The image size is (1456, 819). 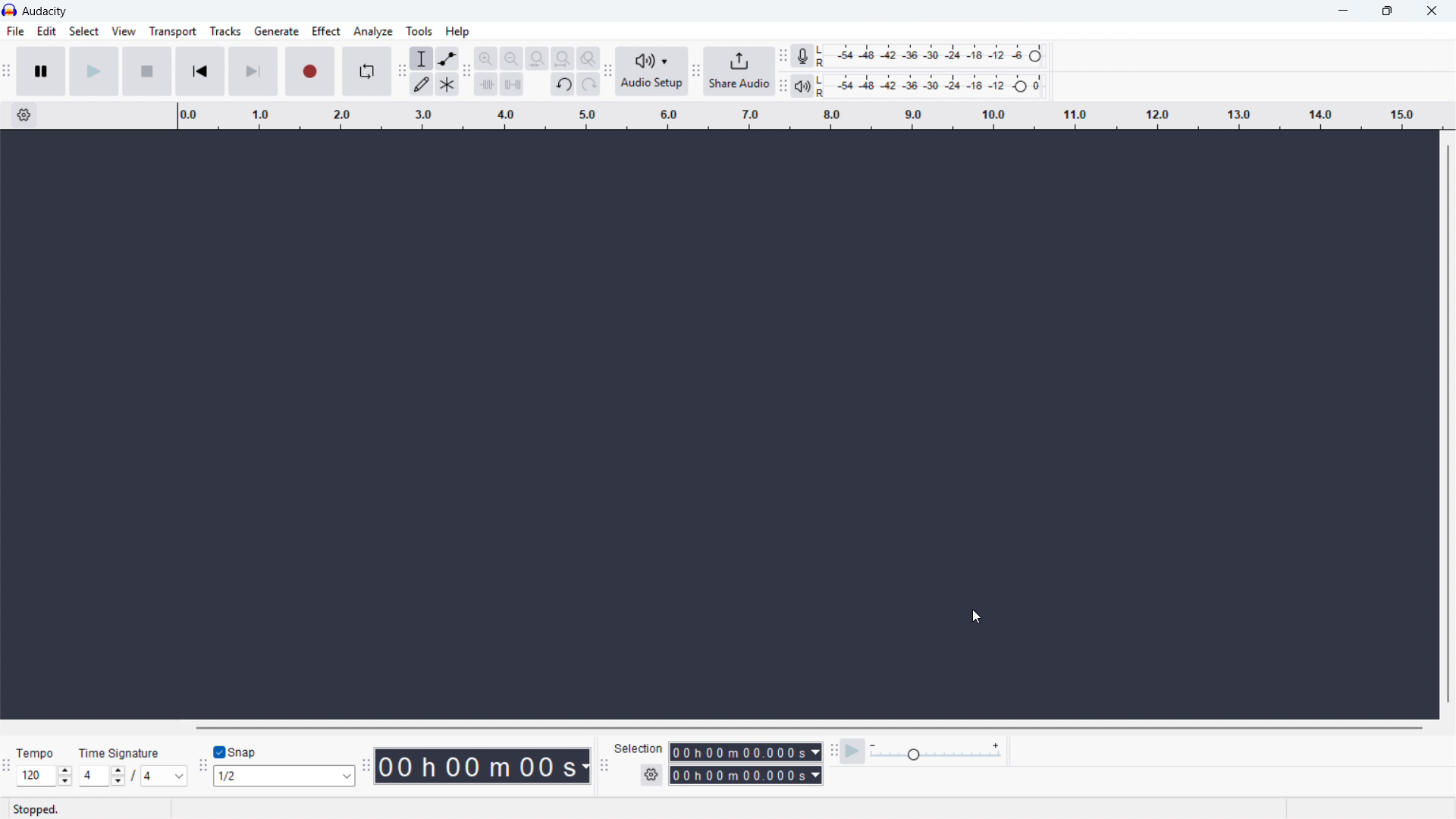 What do you see at coordinates (603, 767) in the screenshot?
I see `selection toolbar` at bounding box center [603, 767].